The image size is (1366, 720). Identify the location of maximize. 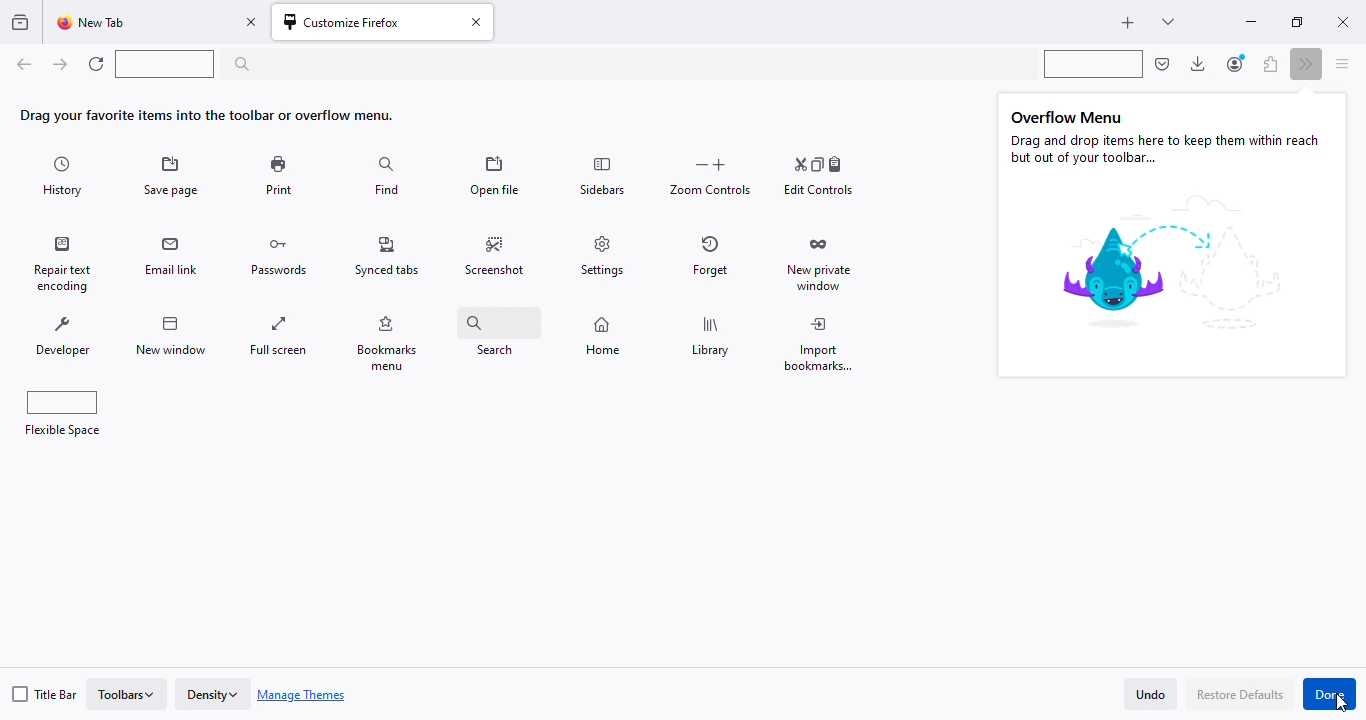
(1298, 22).